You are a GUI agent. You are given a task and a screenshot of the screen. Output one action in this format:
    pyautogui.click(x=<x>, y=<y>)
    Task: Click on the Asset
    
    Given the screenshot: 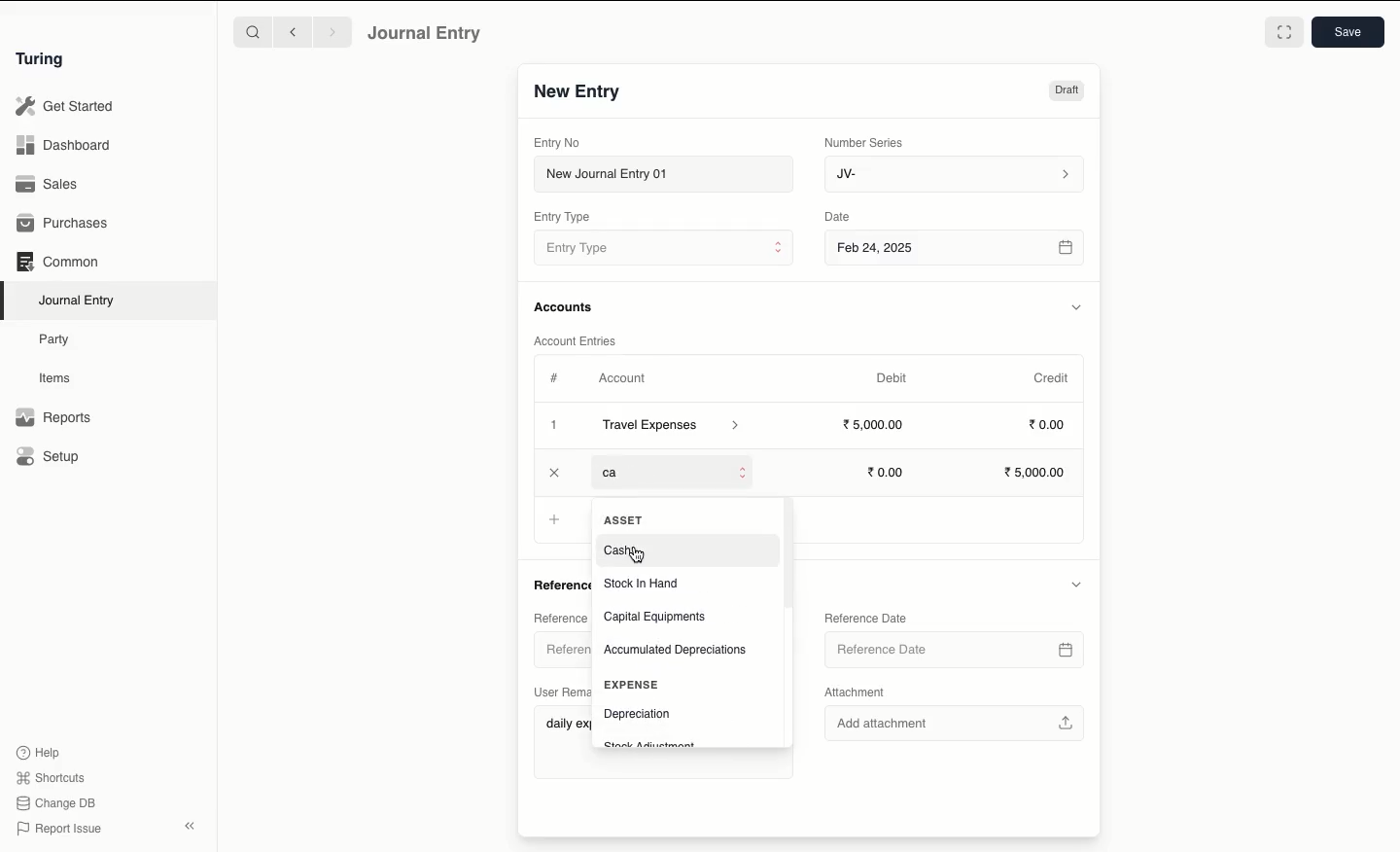 What is the action you would take?
    pyautogui.click(x=623, y=520)
    